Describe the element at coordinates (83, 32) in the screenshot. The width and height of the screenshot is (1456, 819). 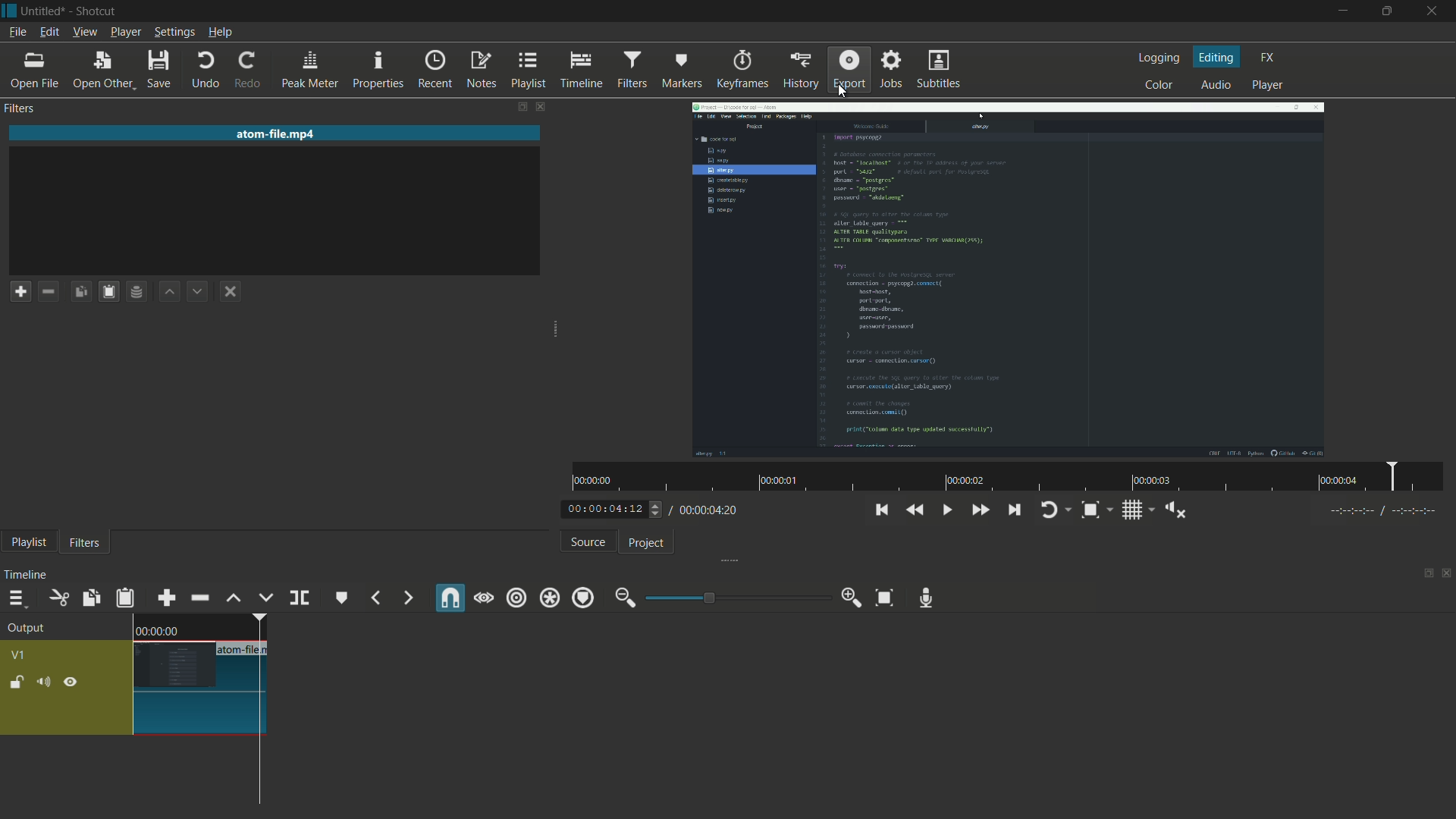
I see `view menu` at that location.